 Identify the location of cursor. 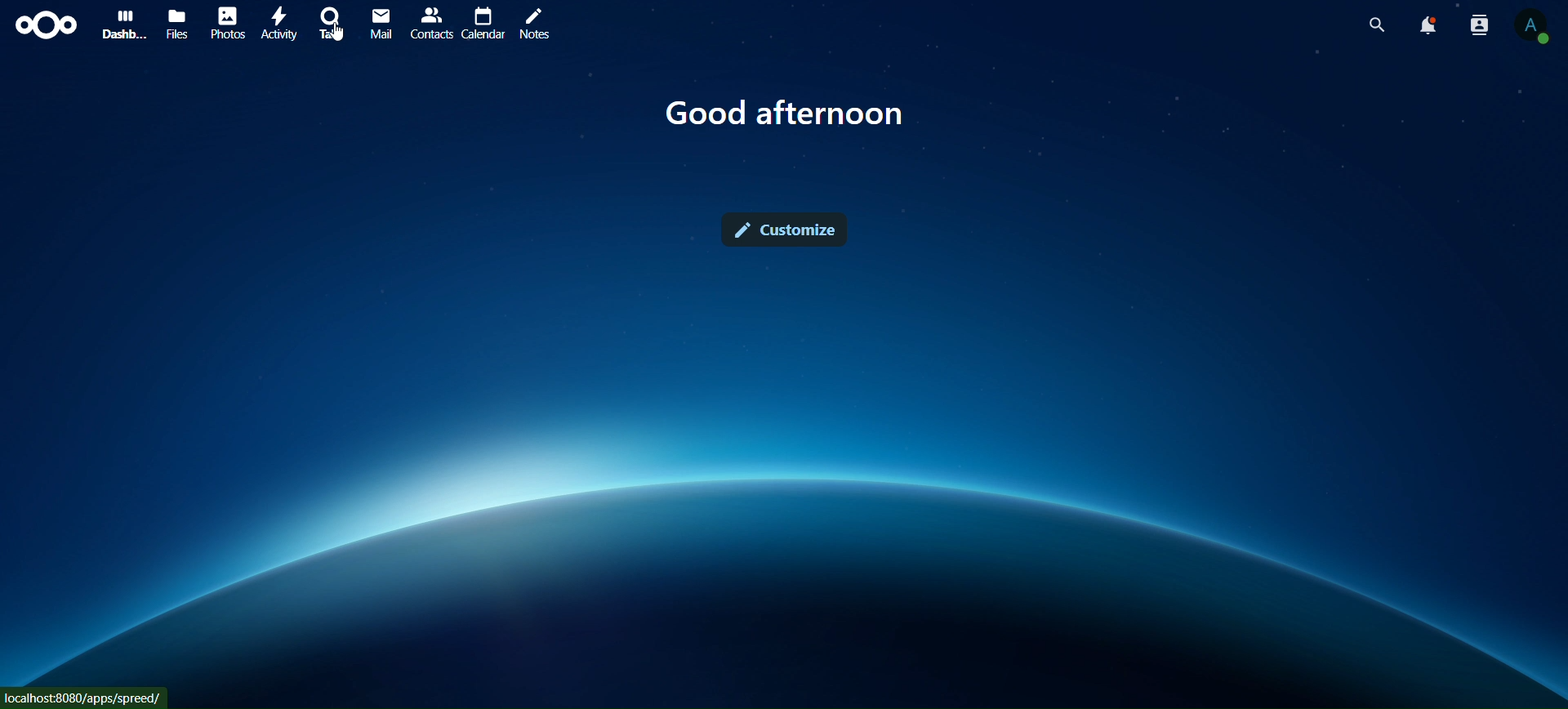
(340, 39).